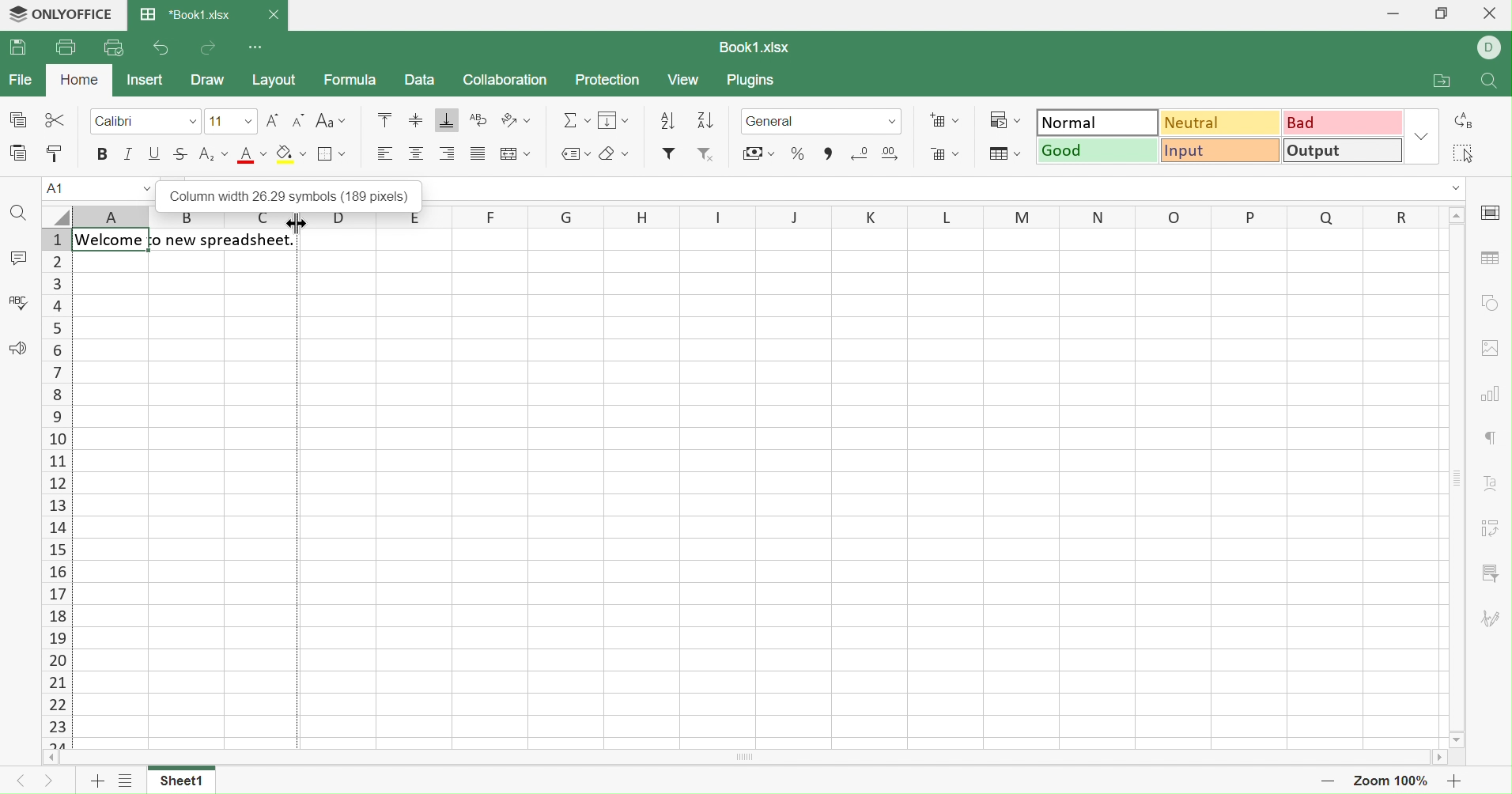 This screenshot has width=1512, height=794. Describe the element at coordinates (125, 783) in the screenshot. I see `List of sheets` at that location.